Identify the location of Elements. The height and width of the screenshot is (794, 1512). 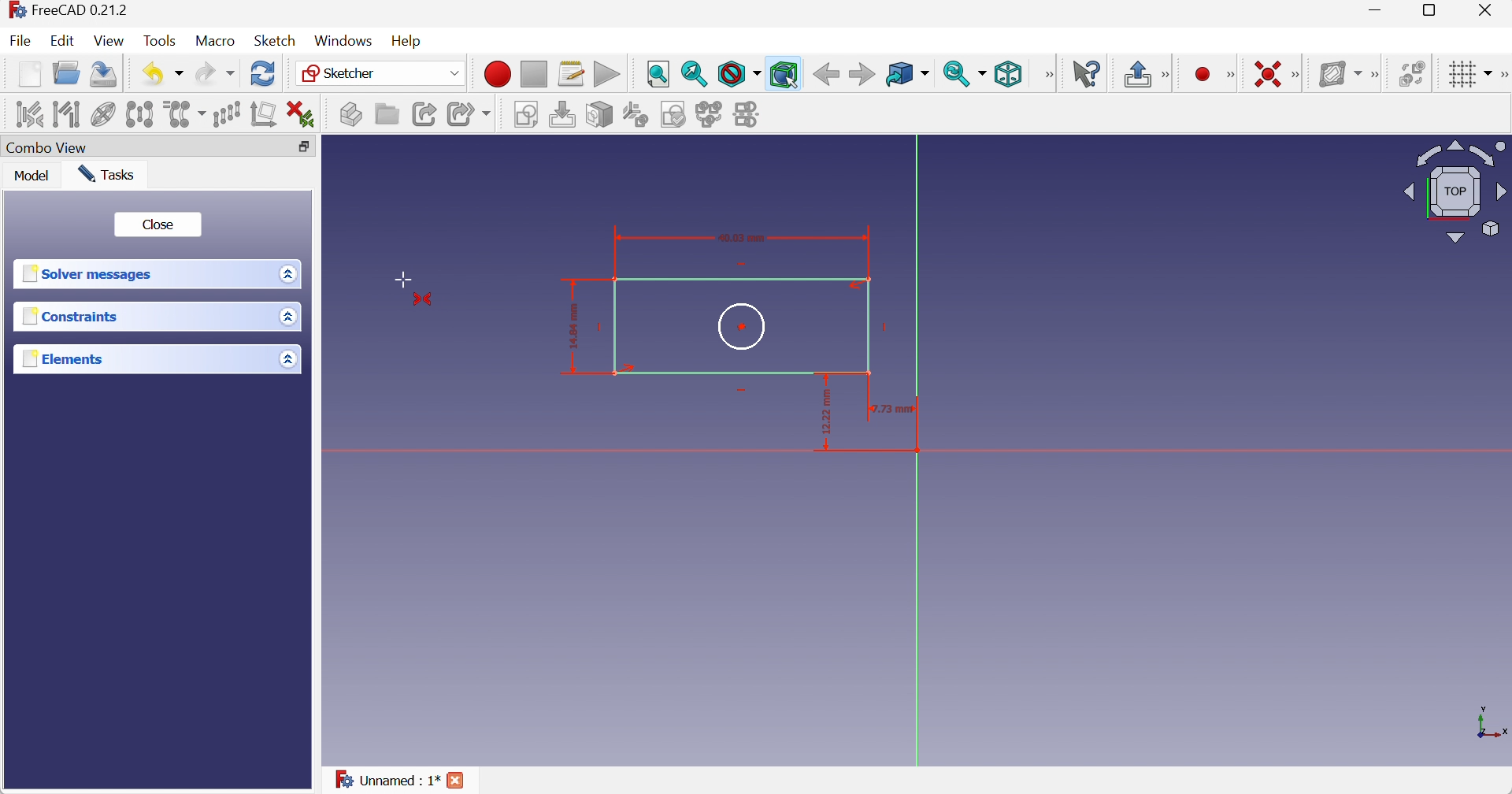
(69, 358).